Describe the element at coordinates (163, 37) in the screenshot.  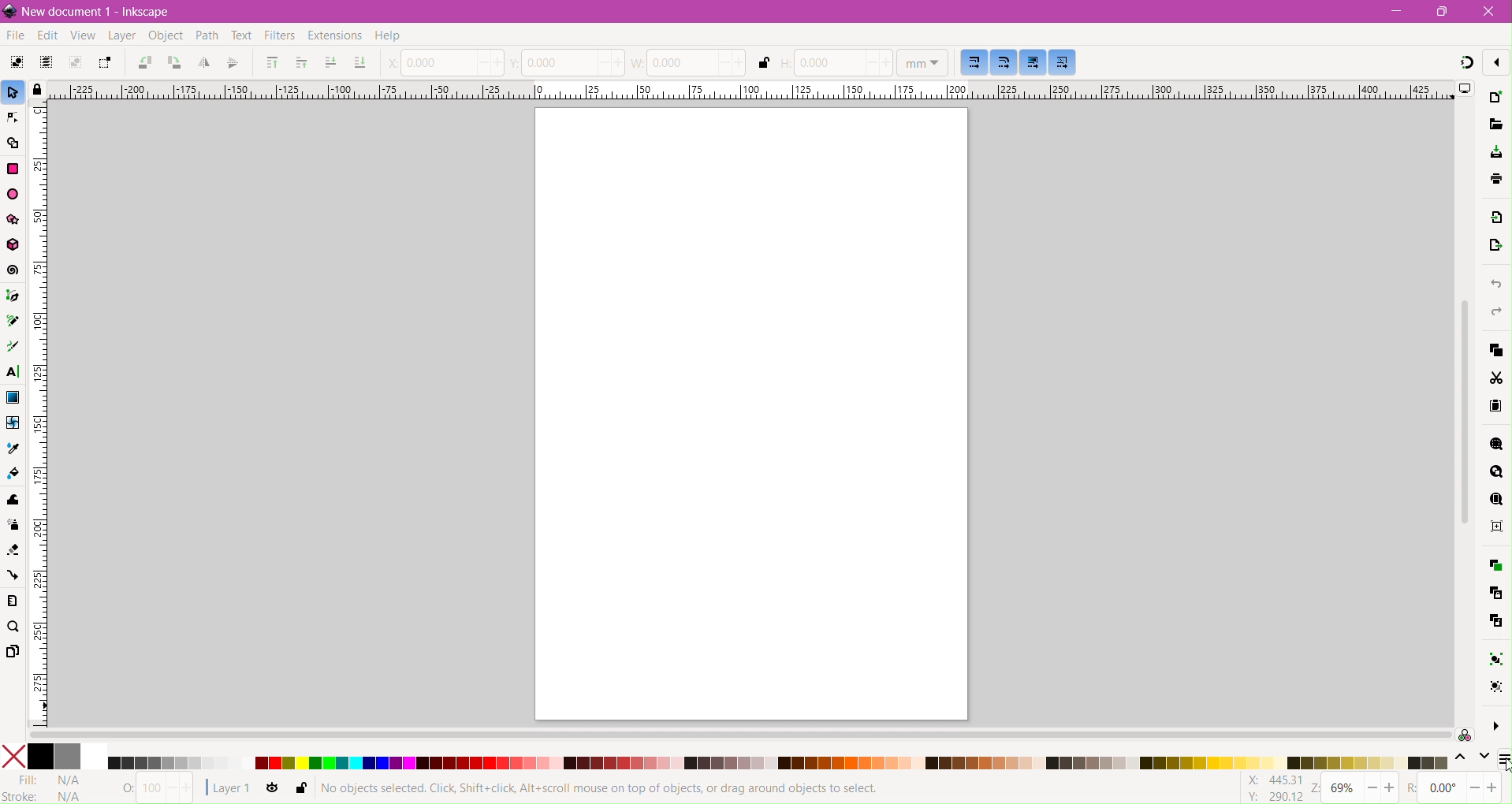
I see `Object` at that location.